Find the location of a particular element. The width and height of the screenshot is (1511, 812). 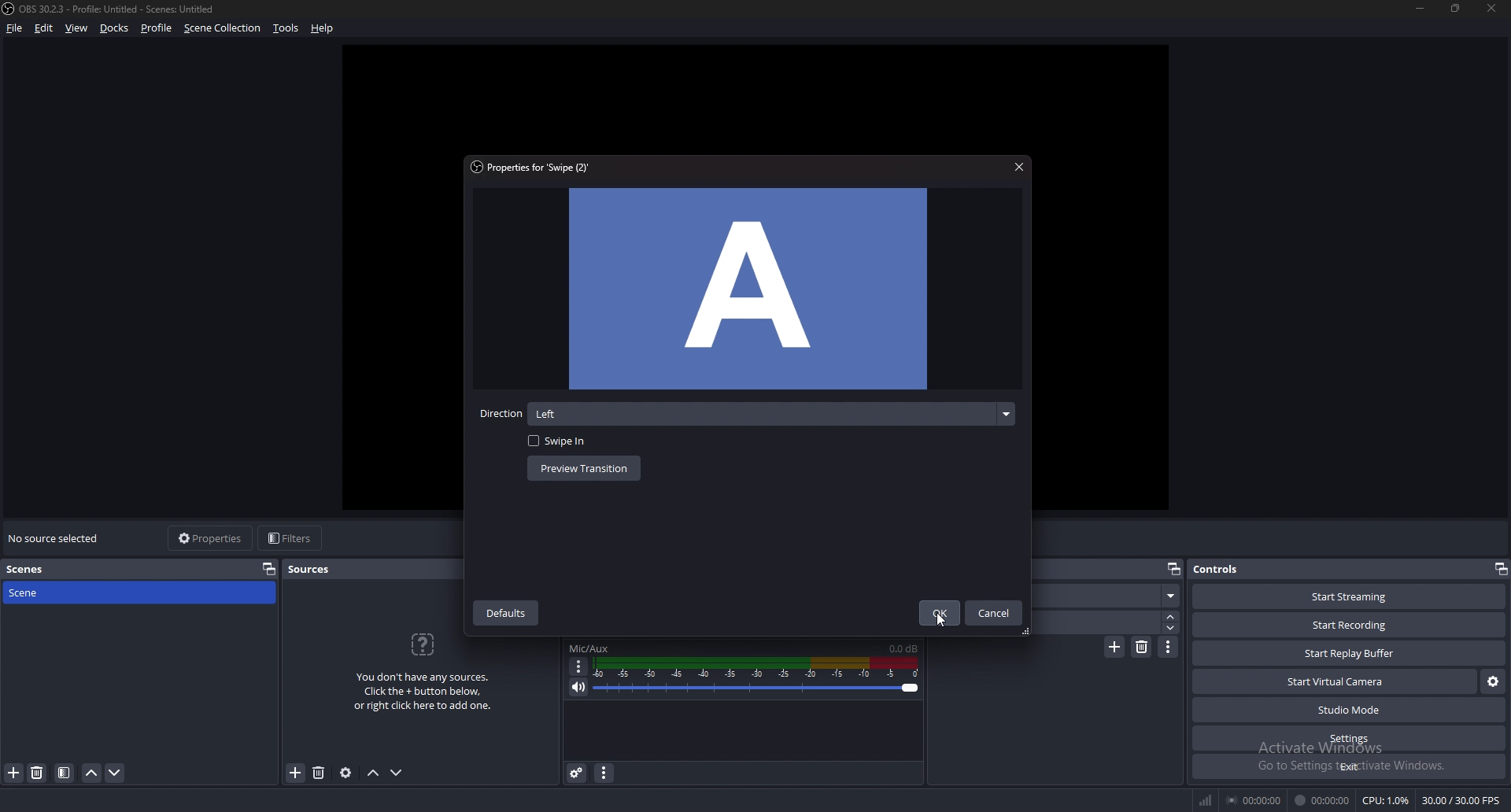

add transition is located at coordinates (1115, 648).